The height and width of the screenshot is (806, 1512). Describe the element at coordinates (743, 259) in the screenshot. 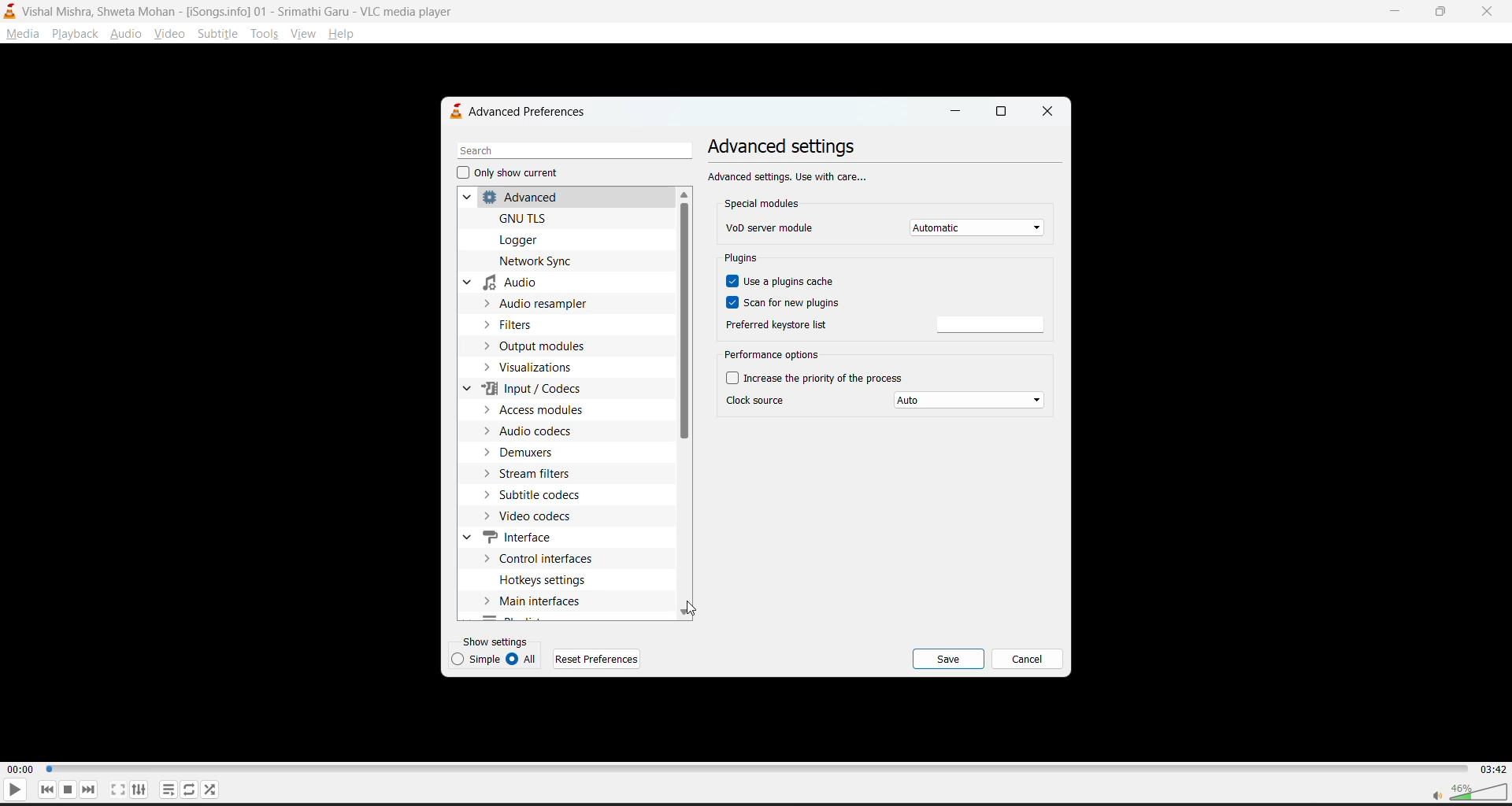

I see `plugins` at that location.